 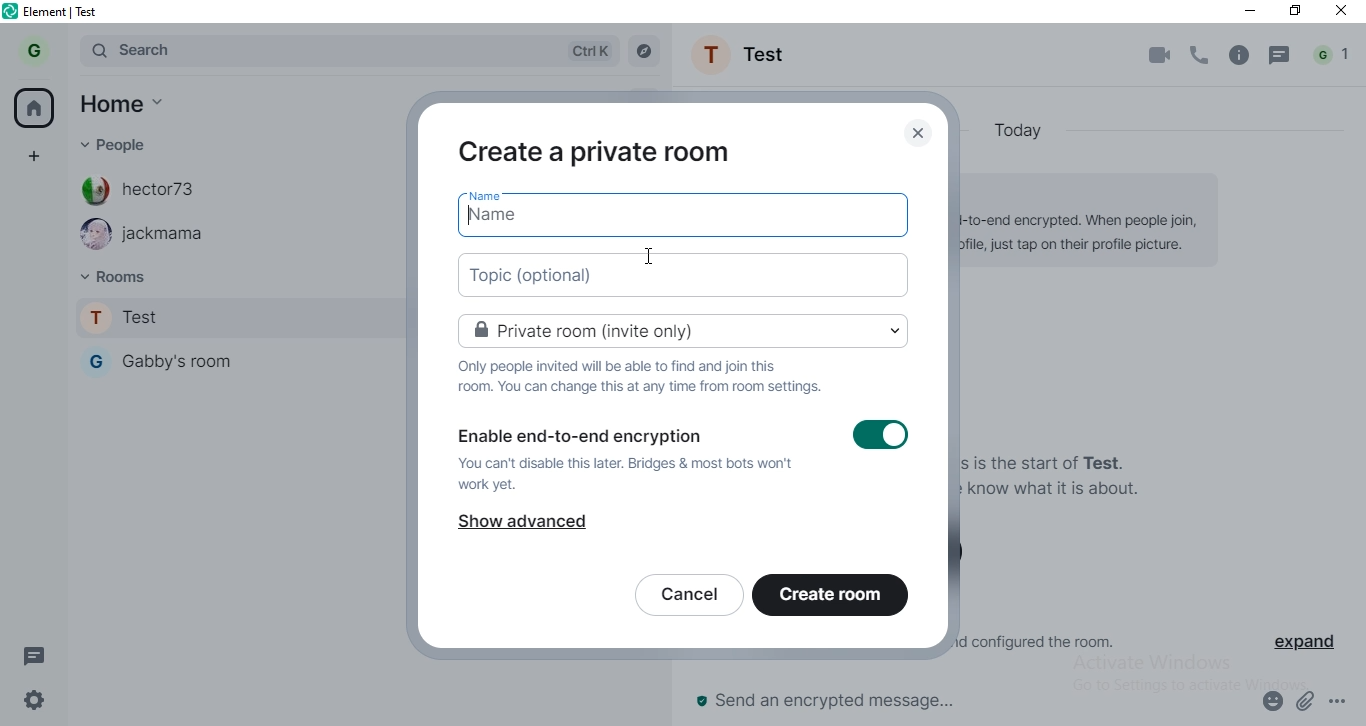 I want to click on people, so click(x=128, y=142).